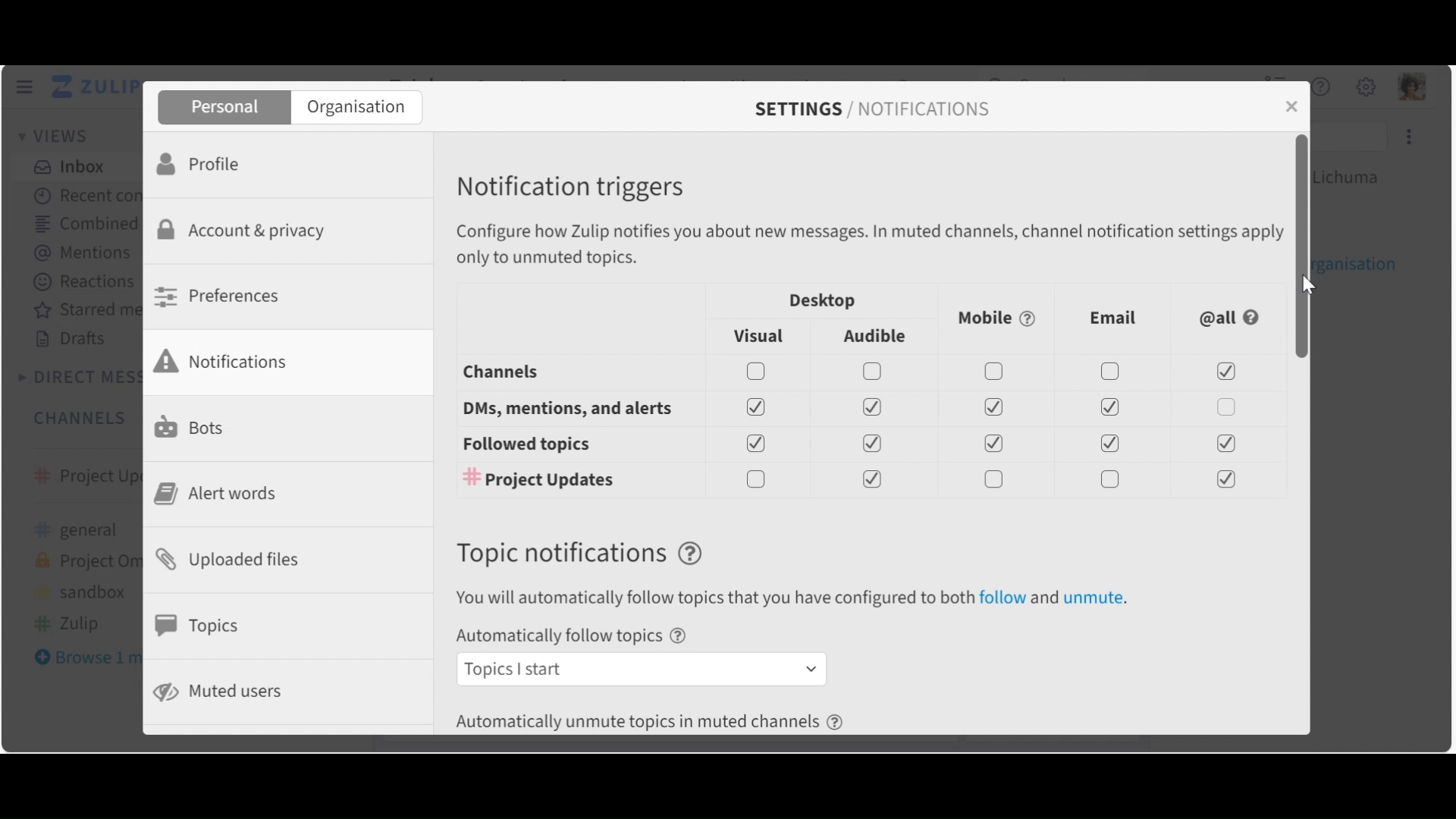 This screenshot has height=819, width=1456. Describe the element at coordinates (576, 638) in the screenshot. I see `Automatically follow topics` at that location.